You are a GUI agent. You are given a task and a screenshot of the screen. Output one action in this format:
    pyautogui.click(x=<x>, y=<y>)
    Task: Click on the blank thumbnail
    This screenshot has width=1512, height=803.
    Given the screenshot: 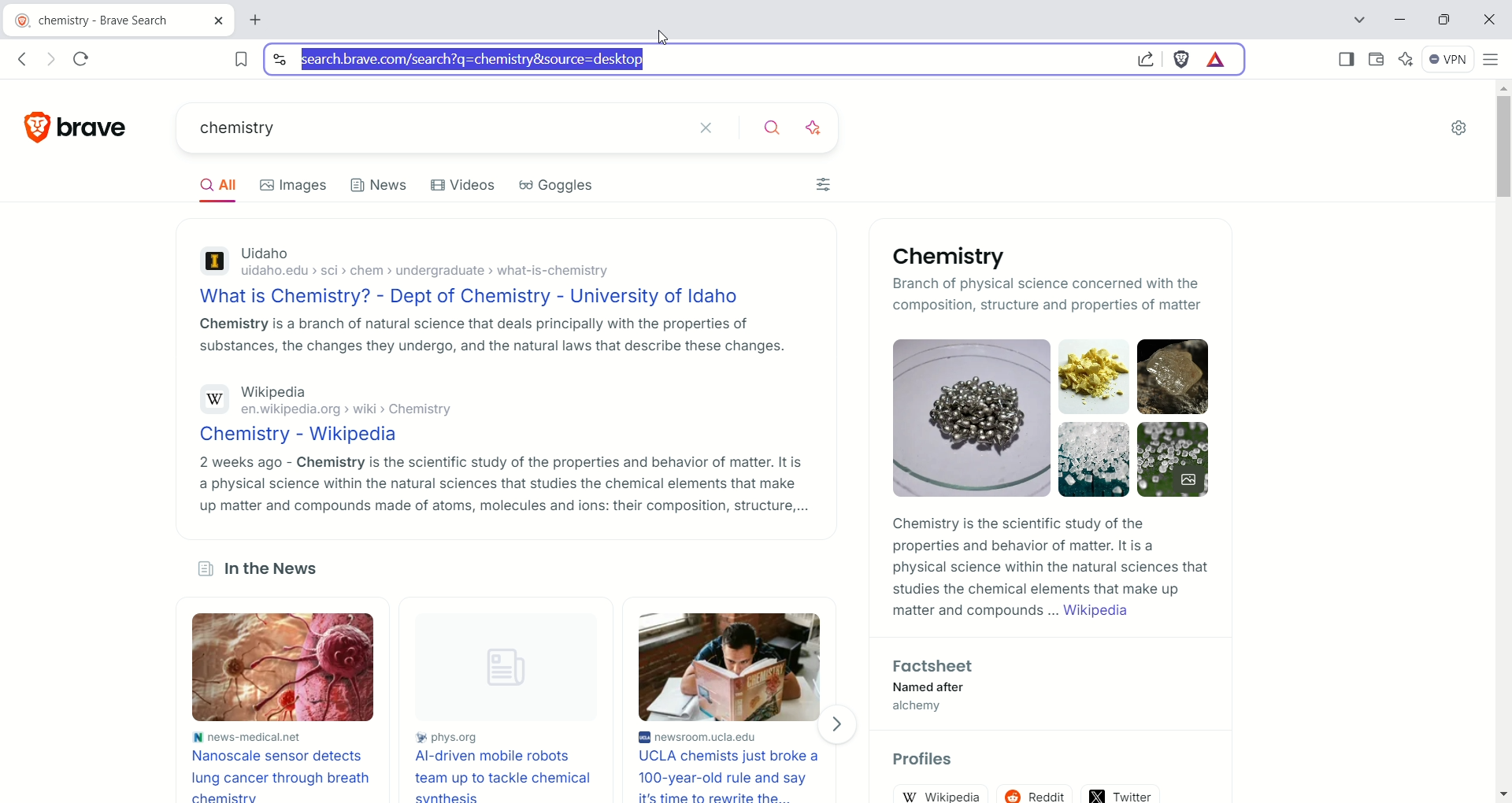 What is the action you would take?
    pyautogui.click(x=514, y=669)
    